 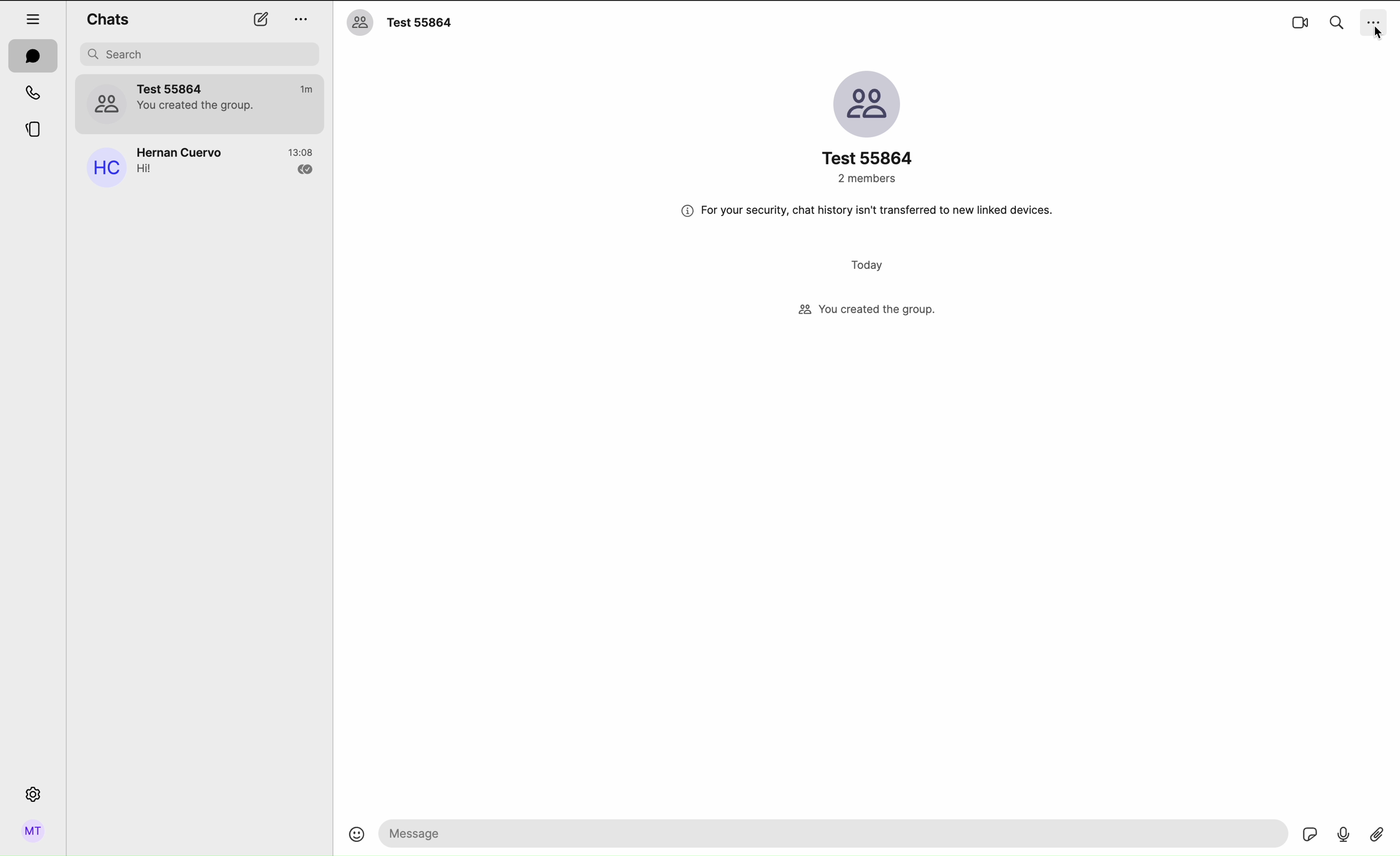 What do you see at coordinates (870, 266) in the screenshot?
I see `today` at bounding box center [870, 266].